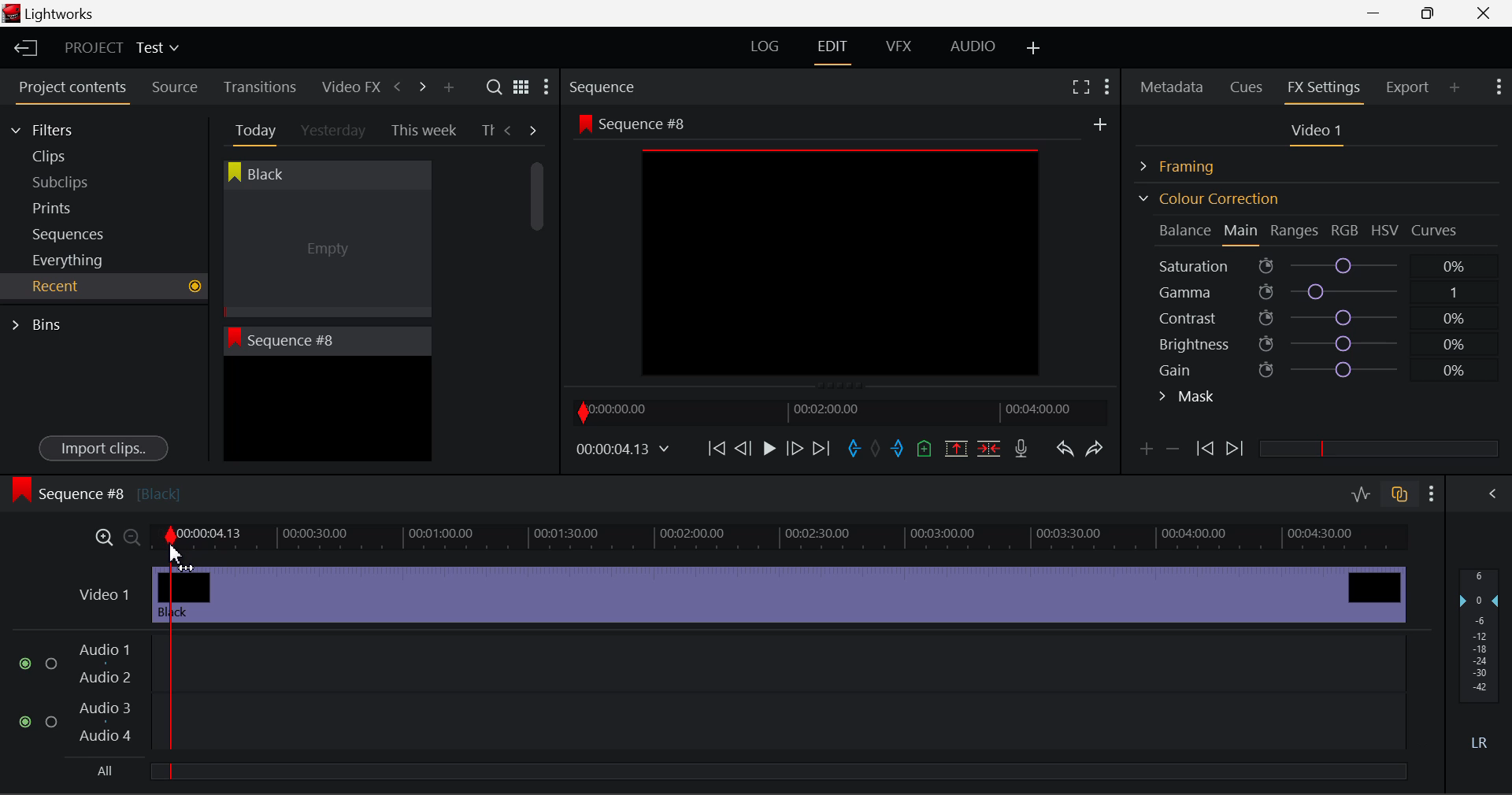 This screenshot has width=1512, height=795. I want to click on Video 1, so click(97, 592).